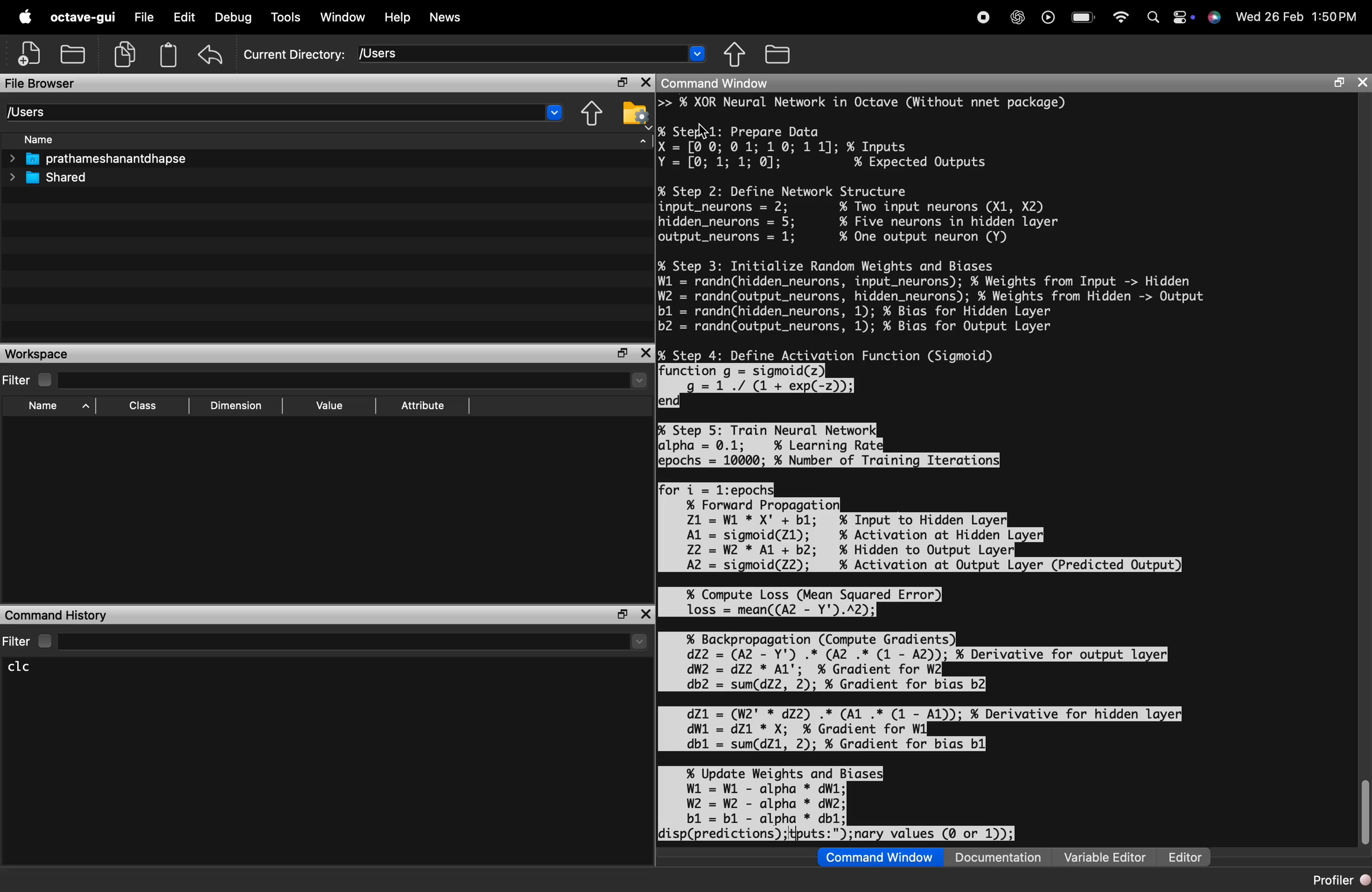  Describe the element at coordinates (1335, 17) in the screenshot. I see `1:50PM` at that location.